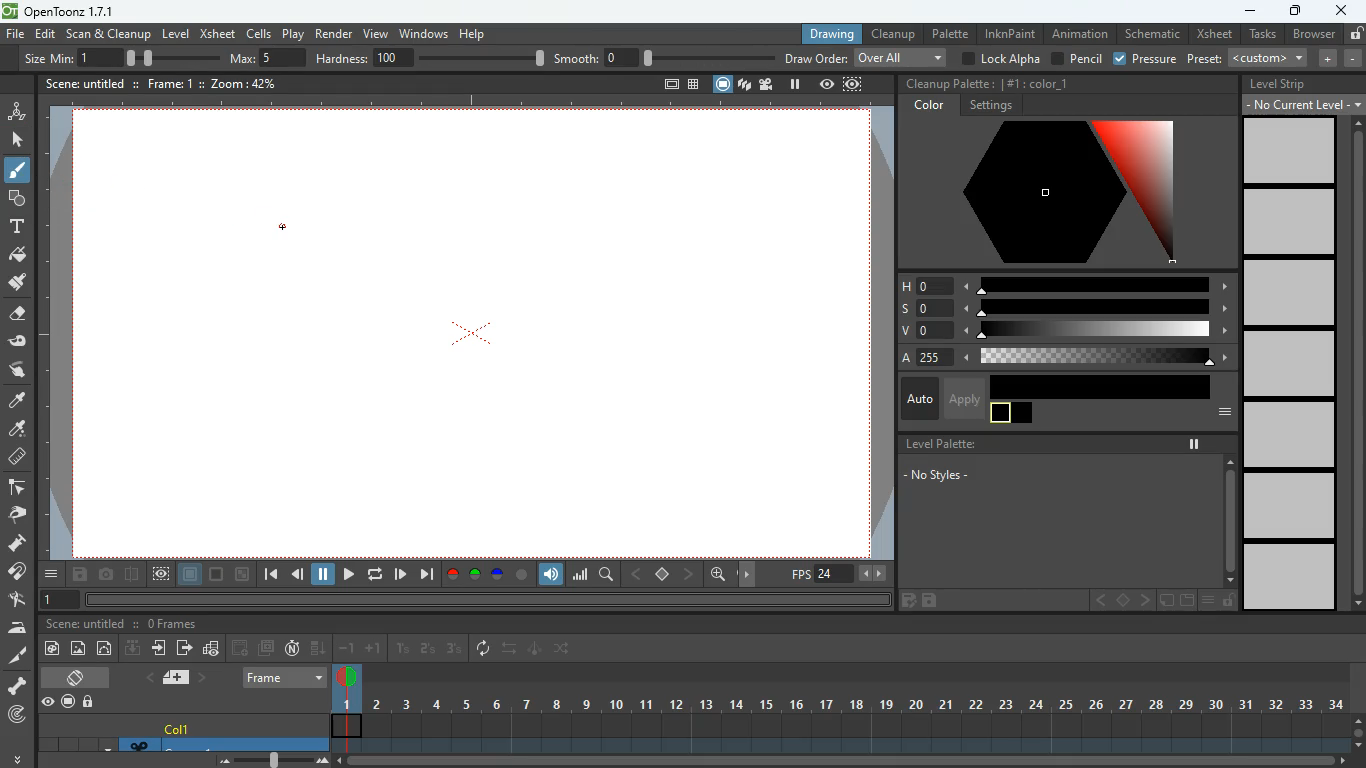 The width and height of the screenshot is (1366, 768). Describe the element at coordinates (1228, 601) in the screenshot. I see `unlock` at that location.